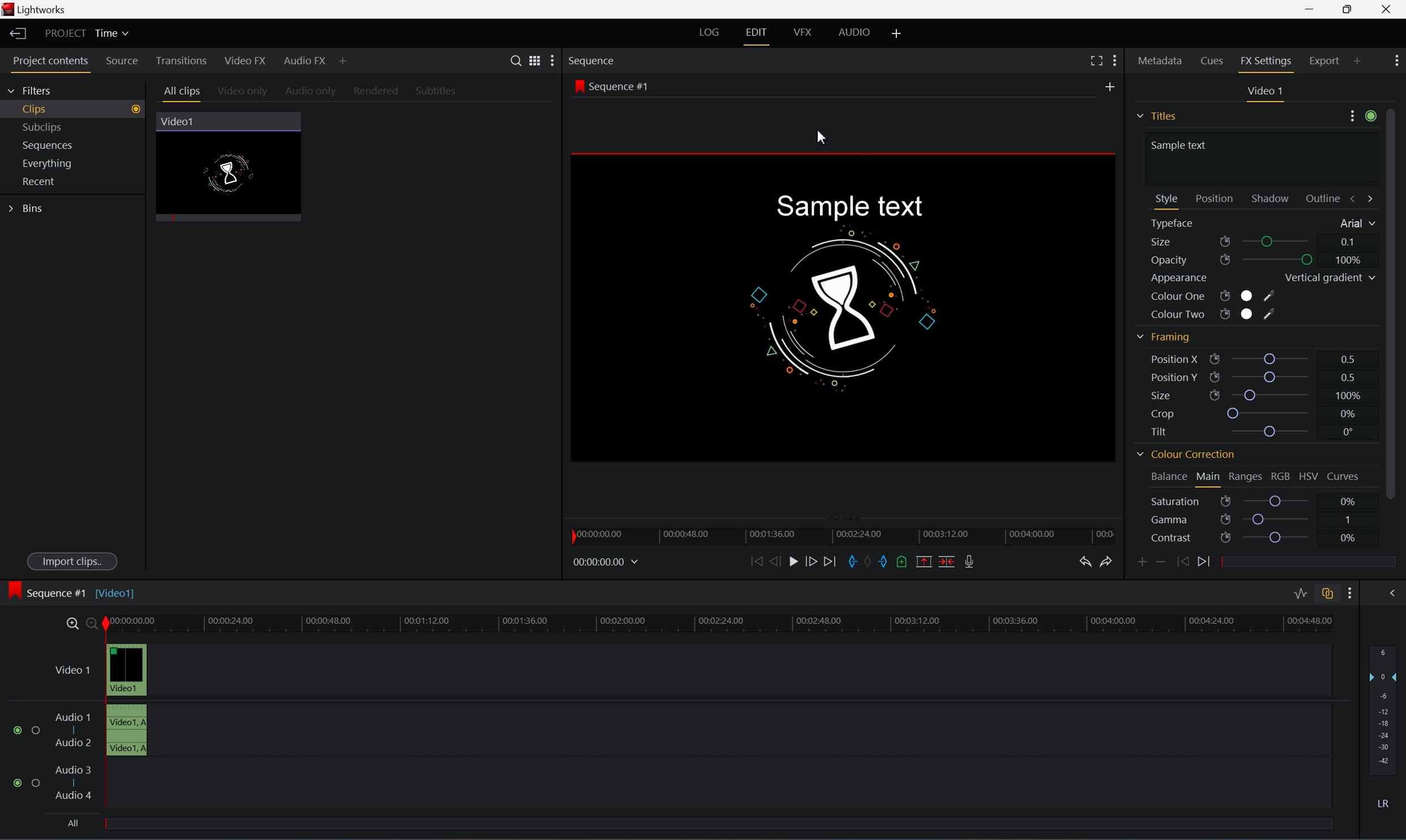  I want to click on slider, so click(1273, 431).